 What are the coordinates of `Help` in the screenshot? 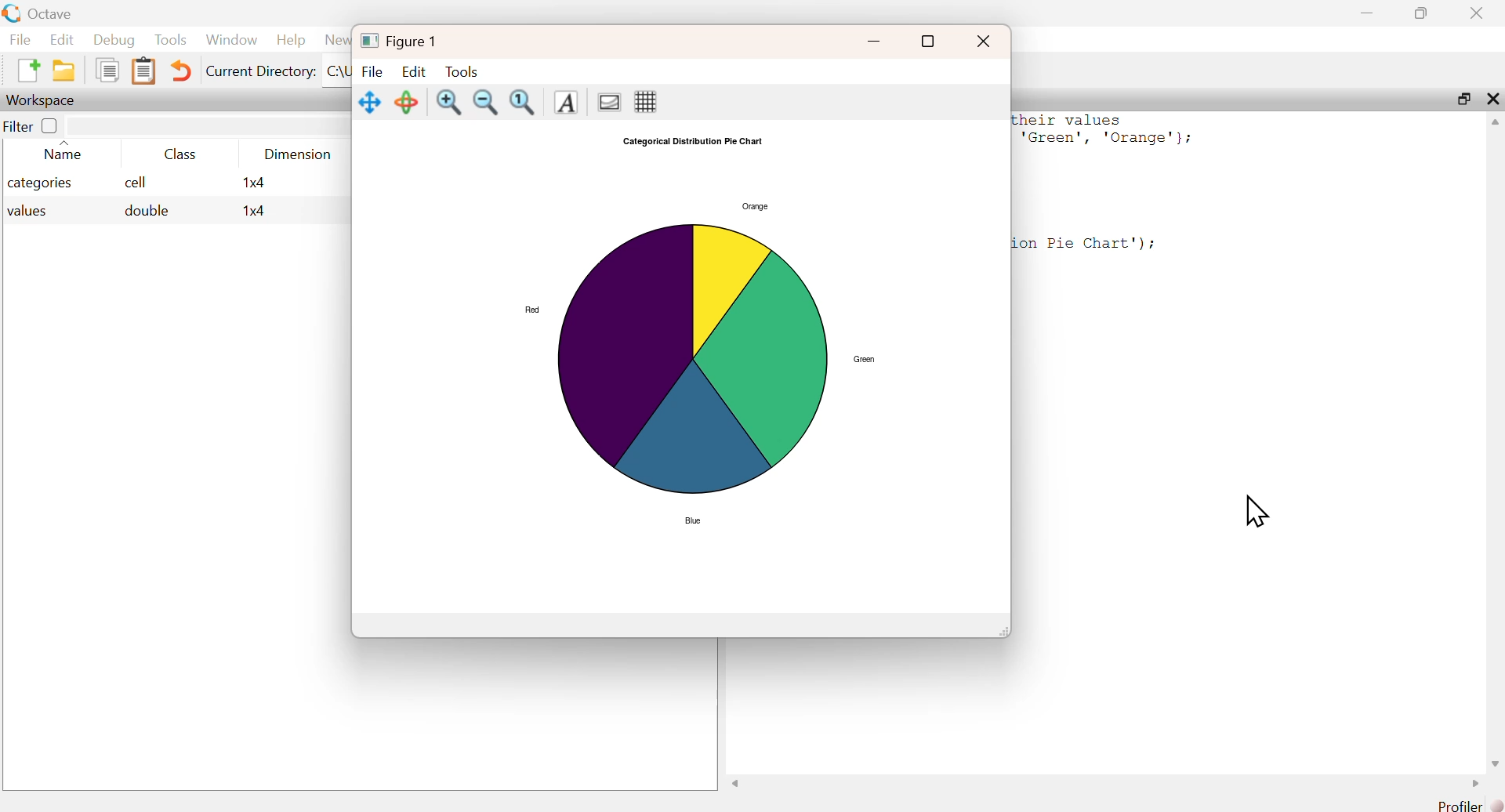 It's located at (292, 40).